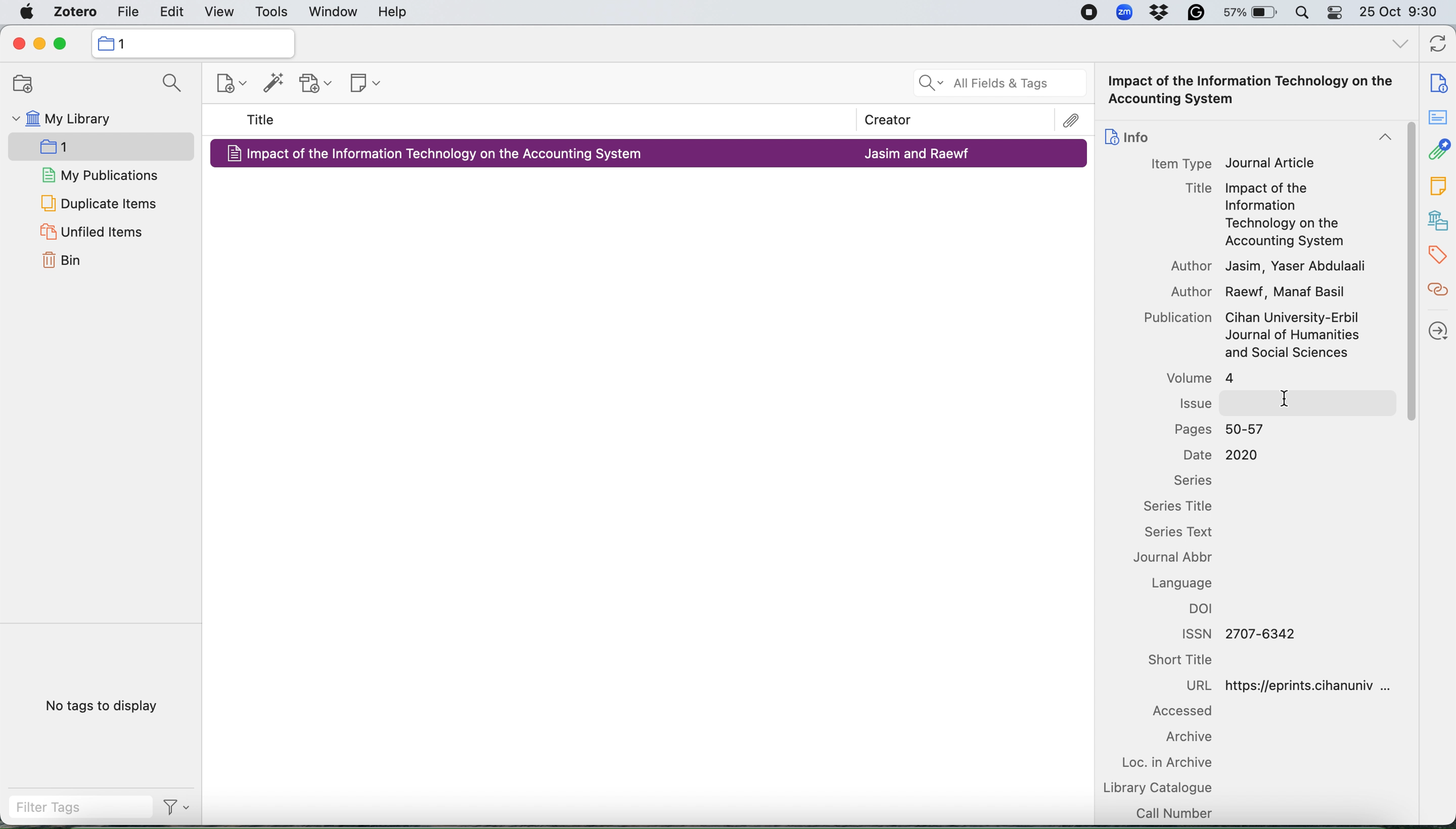  What do you see at coordinates (1437, 329) in the screenshot?
I see `locate` at bounding box center [1437, 329].